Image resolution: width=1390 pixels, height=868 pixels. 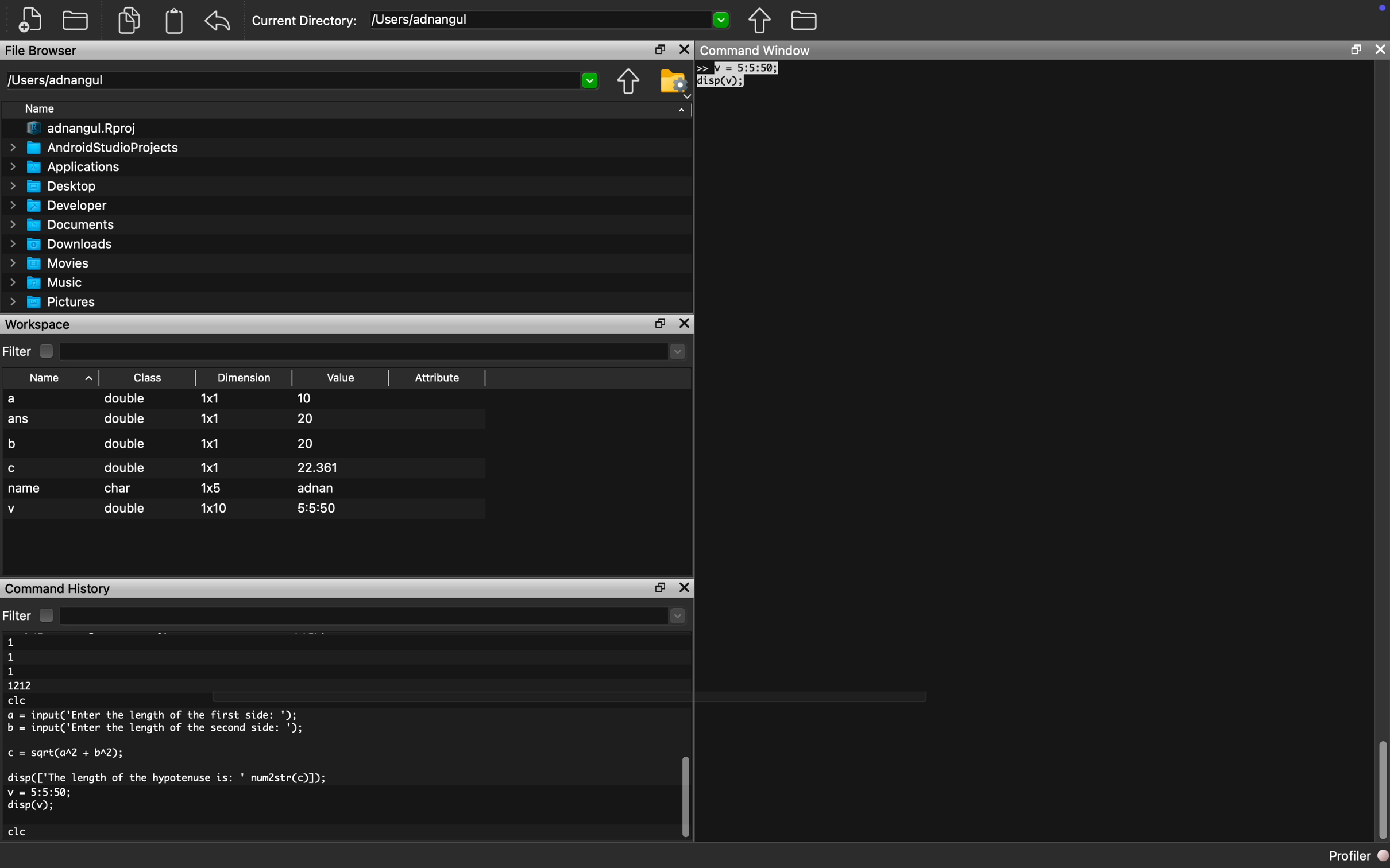 I want to click on 1x1, so click(x=214, y=444).